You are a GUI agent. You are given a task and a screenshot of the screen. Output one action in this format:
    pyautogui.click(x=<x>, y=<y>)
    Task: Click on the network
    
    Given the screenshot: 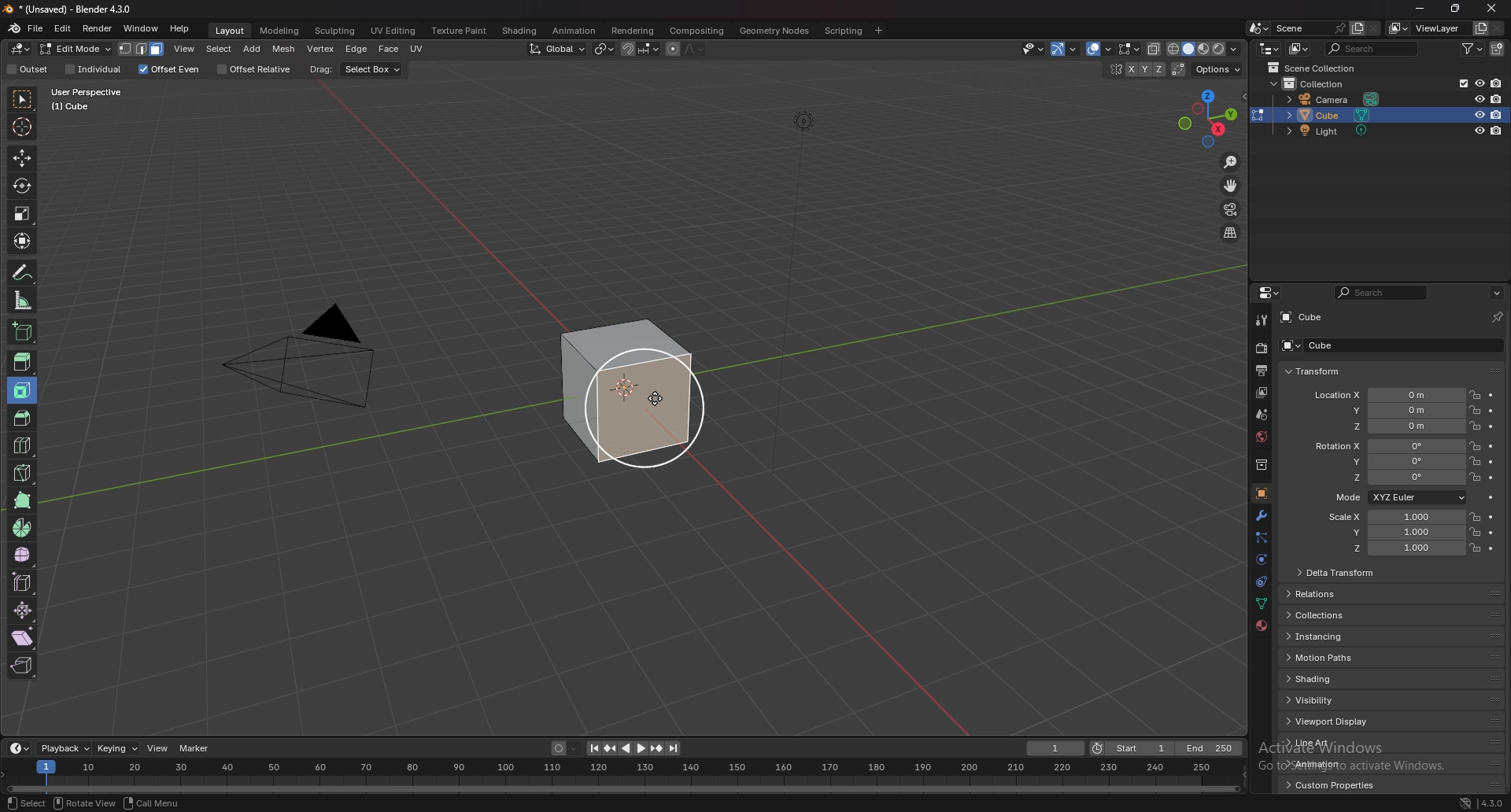 What is the action you would take?
    pyautogui.click(x=1466, y=803)
    